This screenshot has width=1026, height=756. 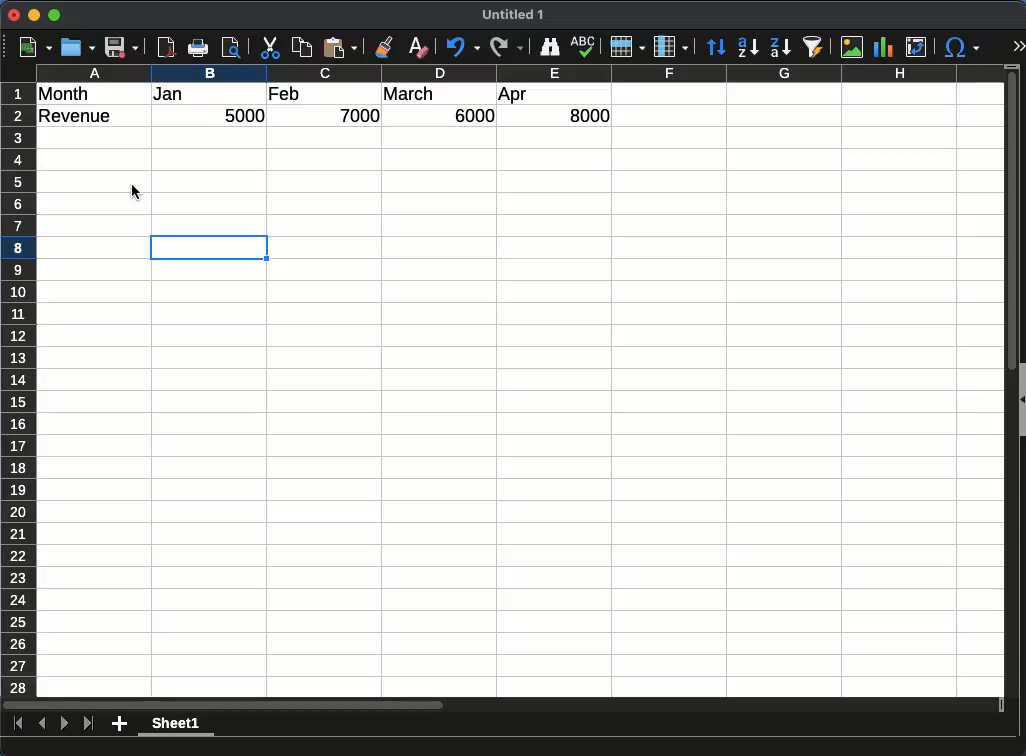 What do you see at coordinates (360, 115) in the screenshot?
I see `7000` at bounding box center [360, 115].